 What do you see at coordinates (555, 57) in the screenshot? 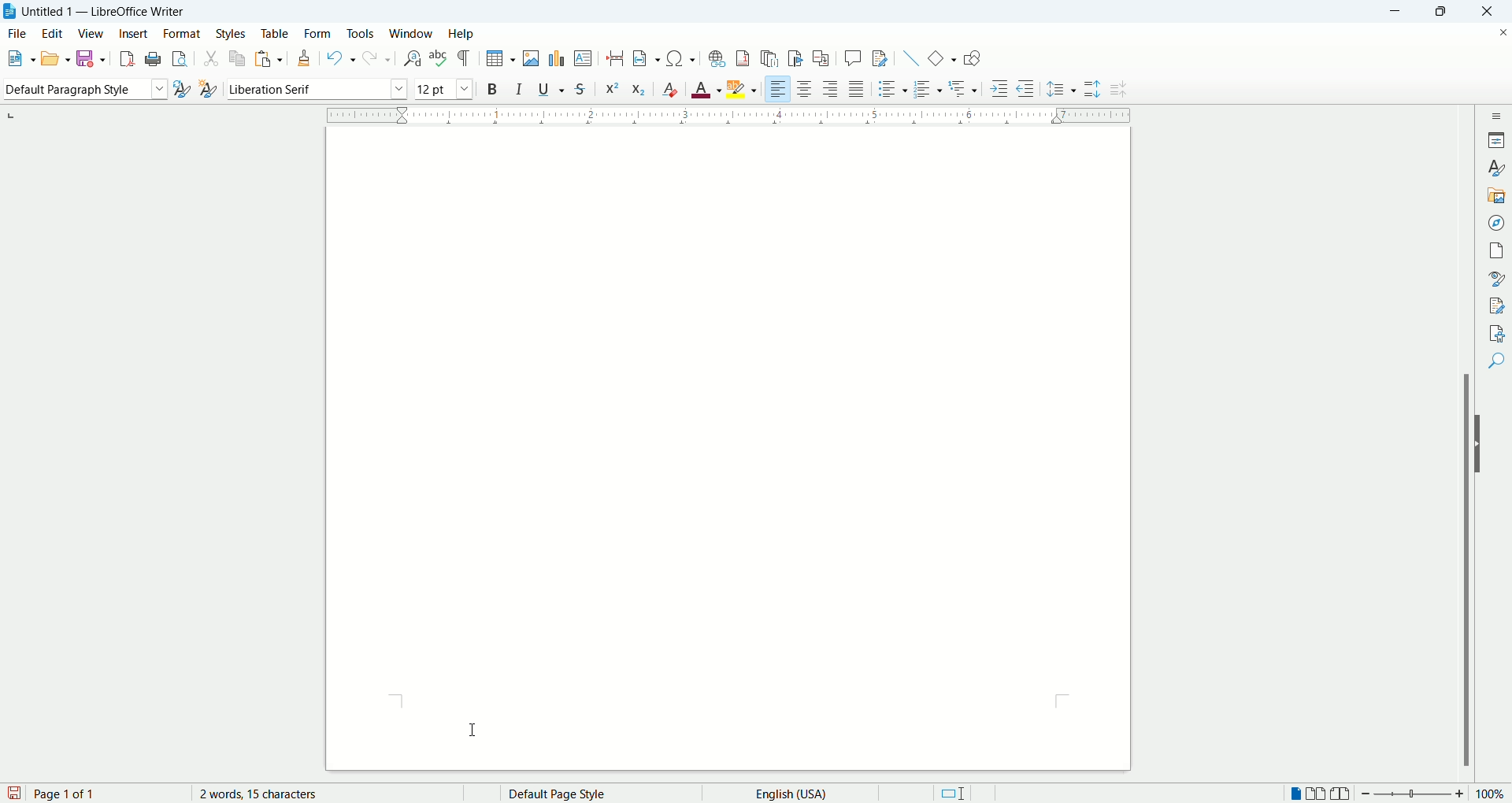
I see `insert chart` at bounding box center [555, 57].